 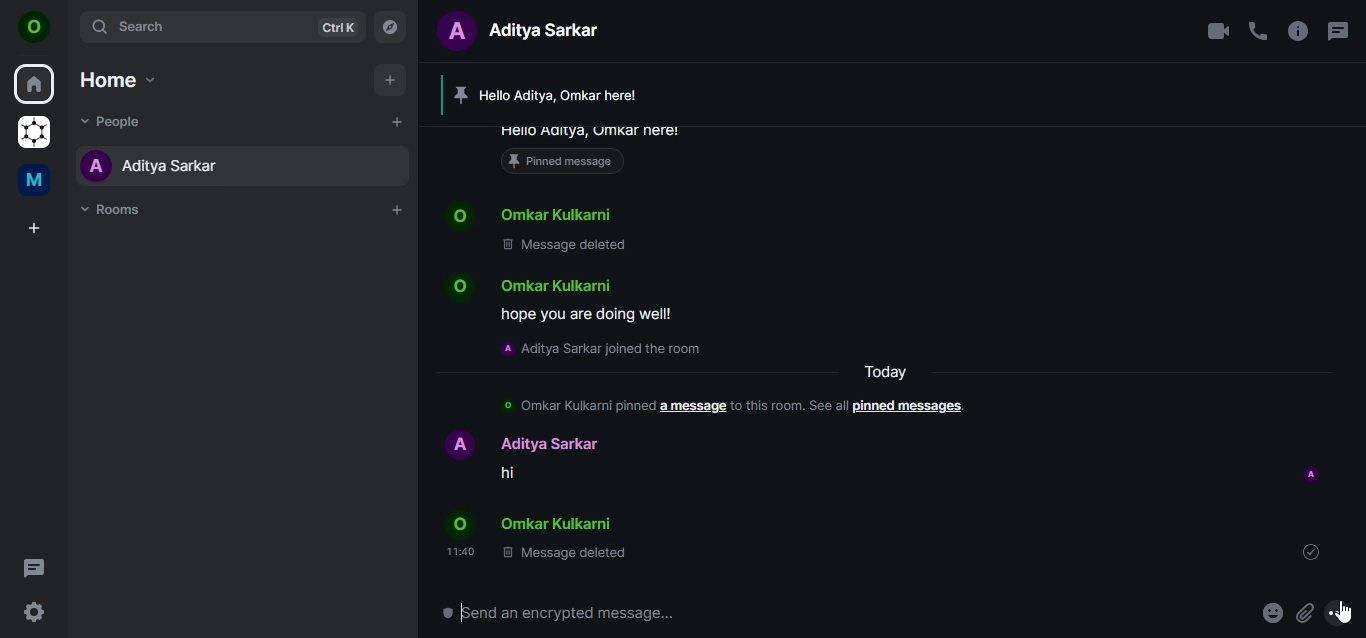 What do you see at coordinates (528, 29) in the screenshot?
I see `aditya sarkar` at bounding box center [528, 29].